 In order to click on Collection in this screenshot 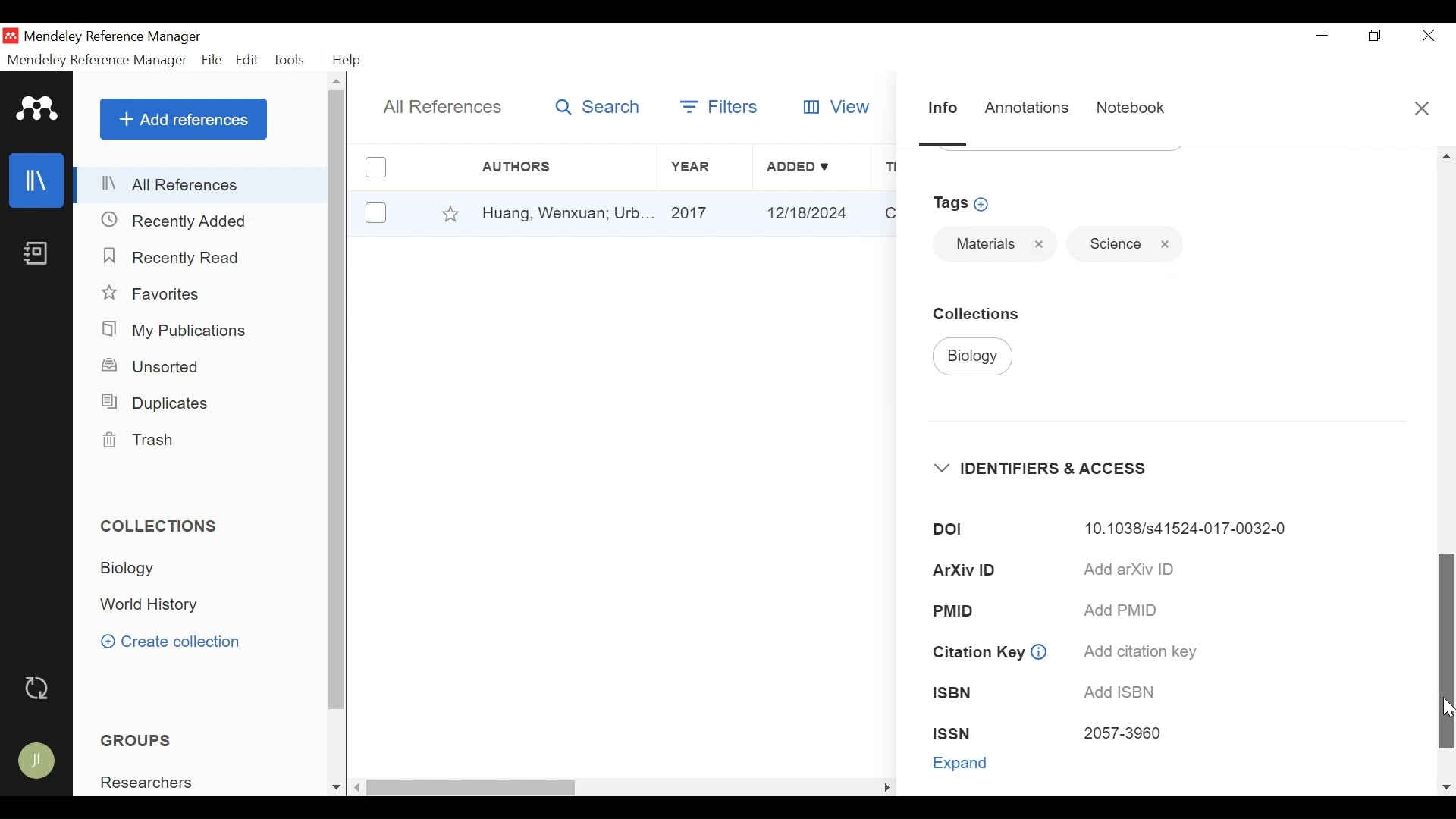, I will do `click(984, 313)`.